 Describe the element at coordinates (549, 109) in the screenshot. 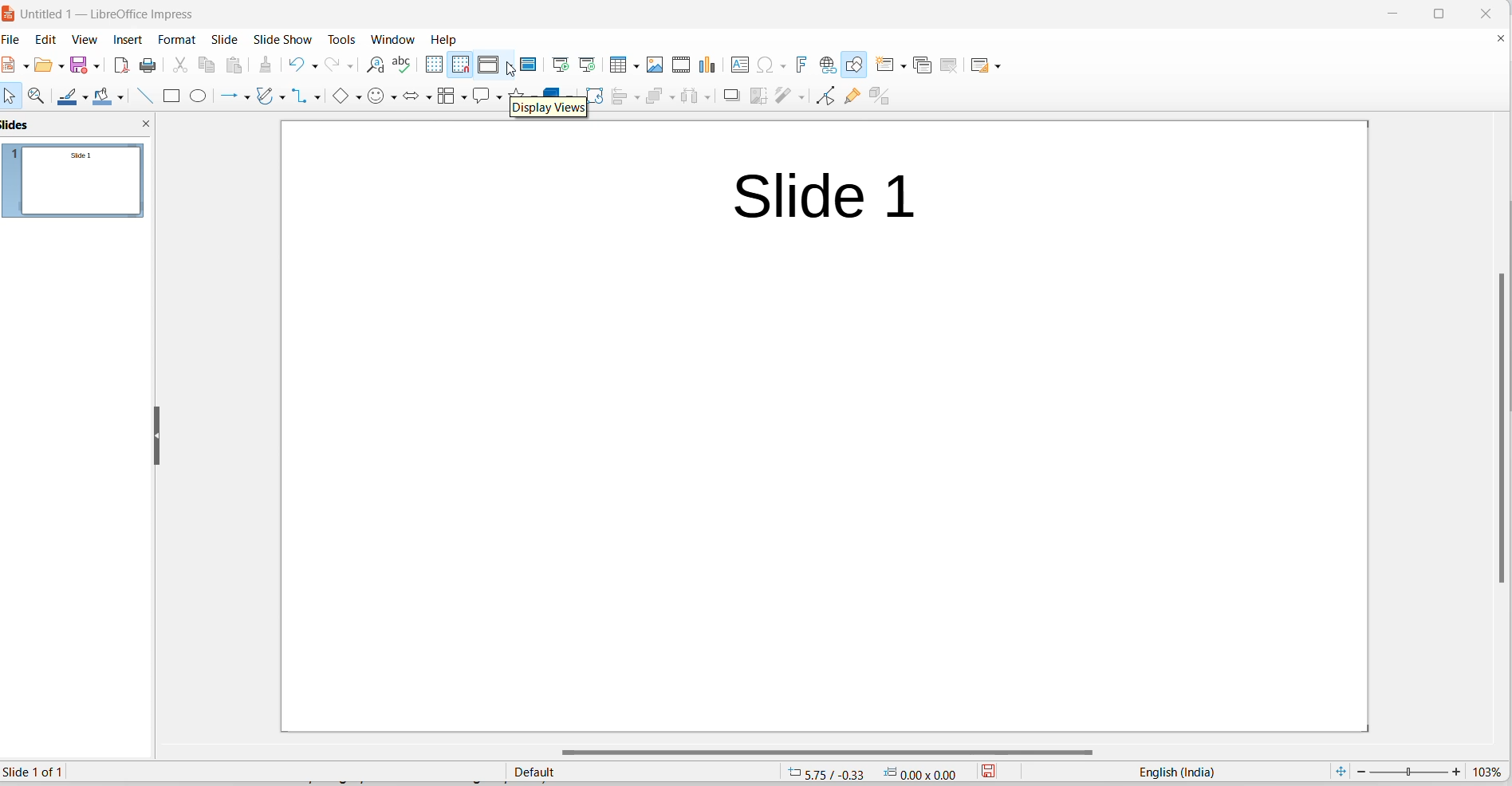

I see `hover text` at that location.